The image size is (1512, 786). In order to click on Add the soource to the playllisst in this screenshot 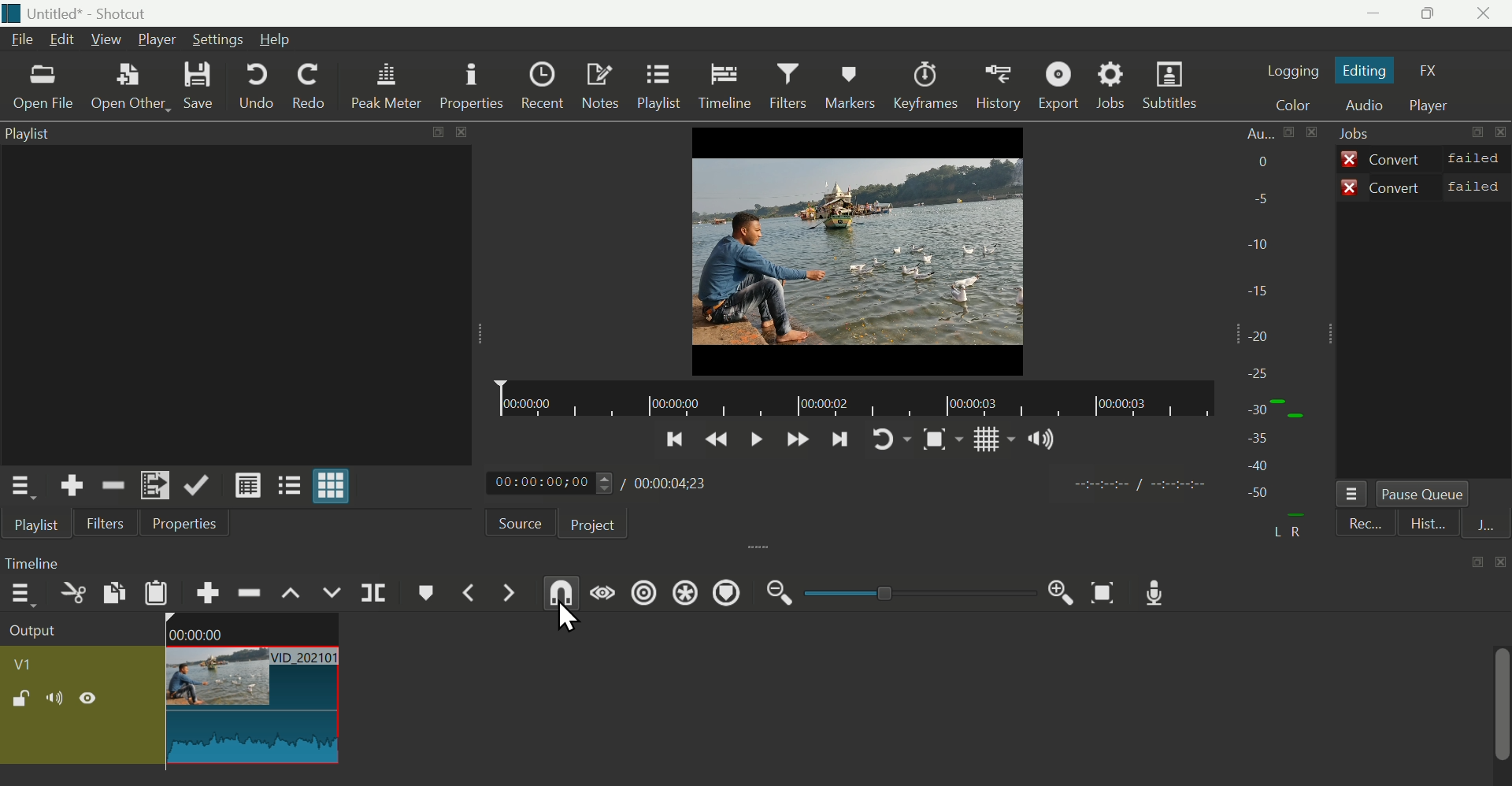, I will do `click(75, 485)`.